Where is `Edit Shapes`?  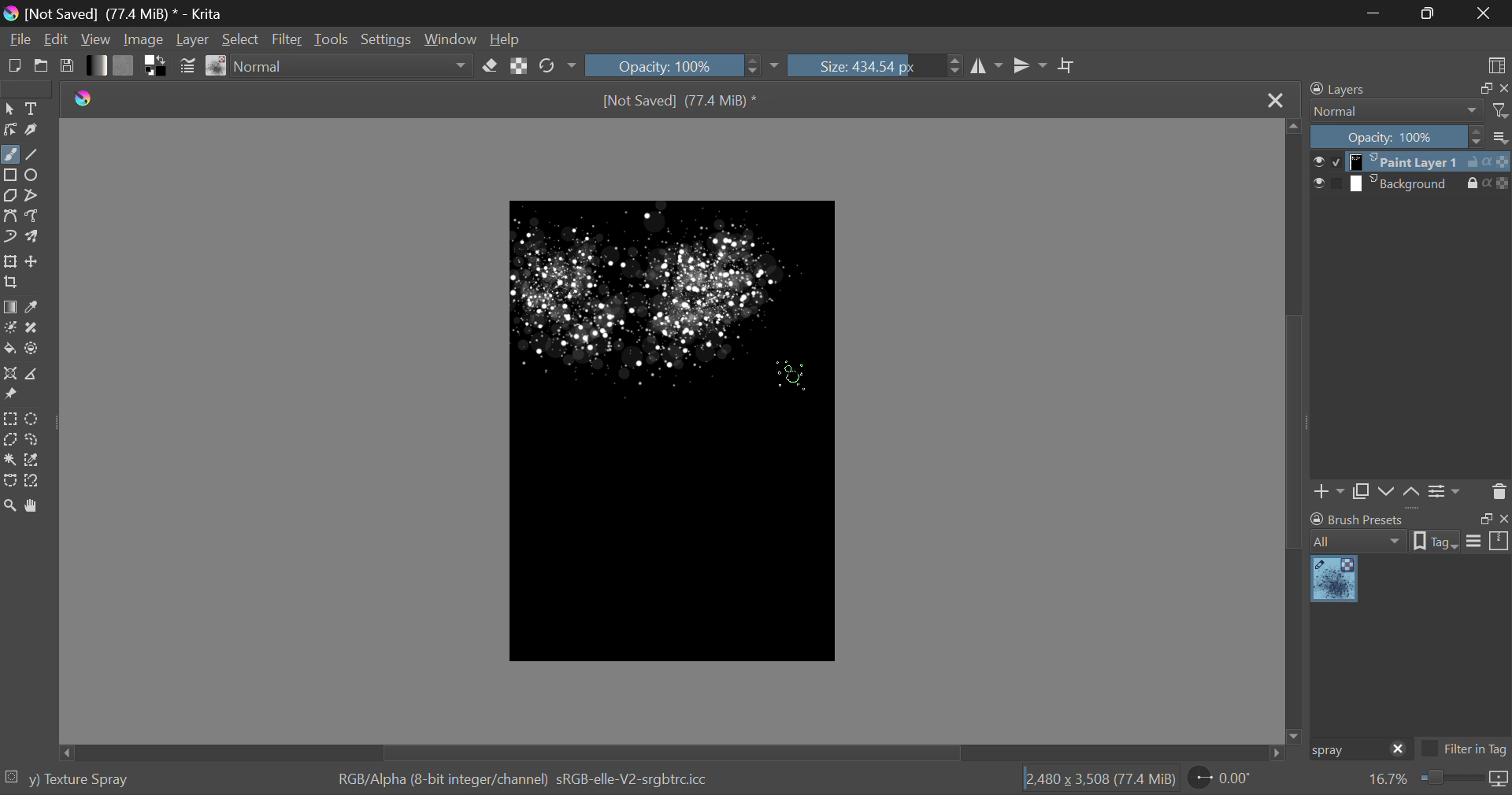
Edit Shapes is located at coordinates (11, 130).